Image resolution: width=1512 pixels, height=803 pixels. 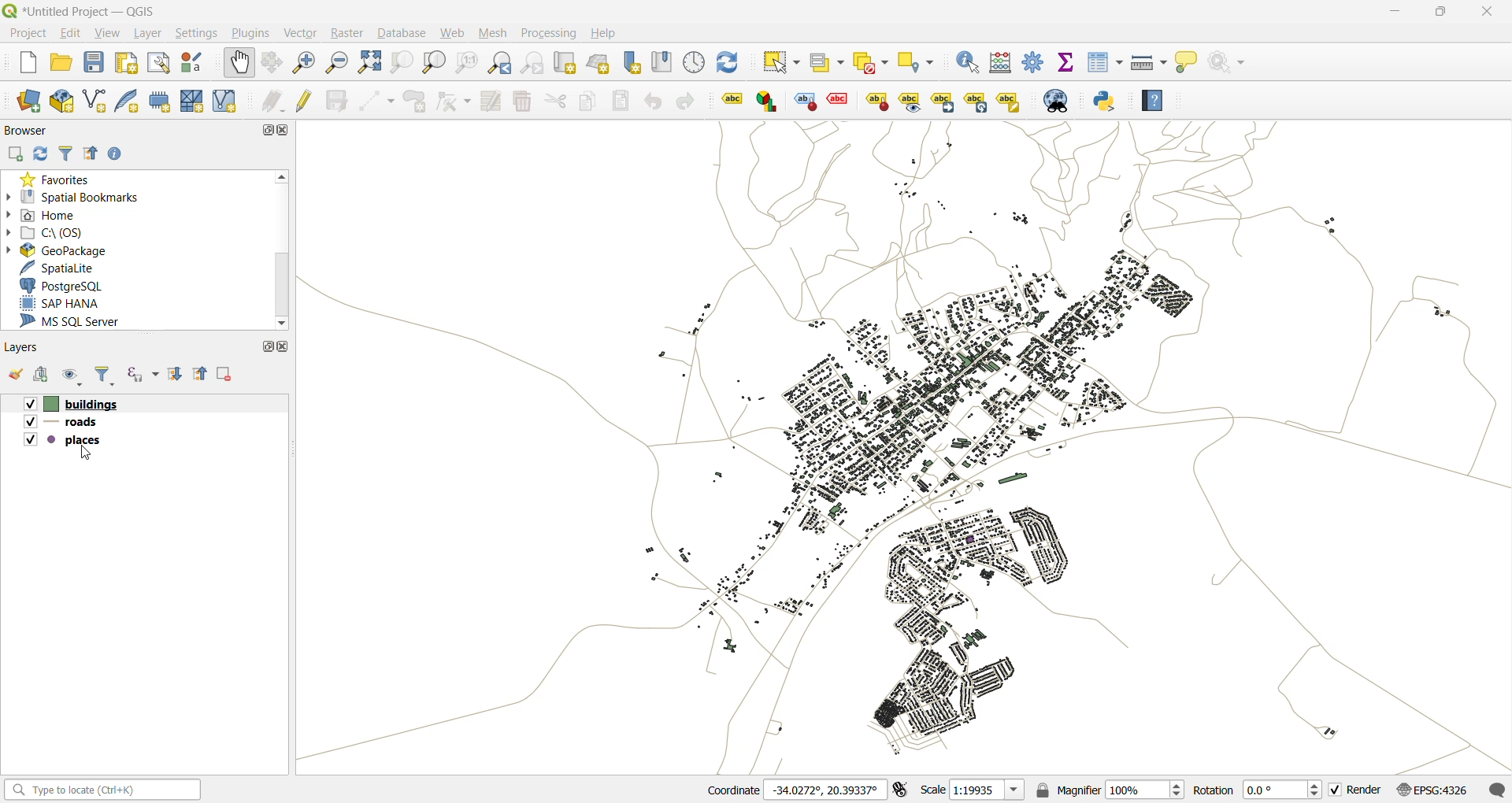 I want to click on web, so click(x=453, y=34).